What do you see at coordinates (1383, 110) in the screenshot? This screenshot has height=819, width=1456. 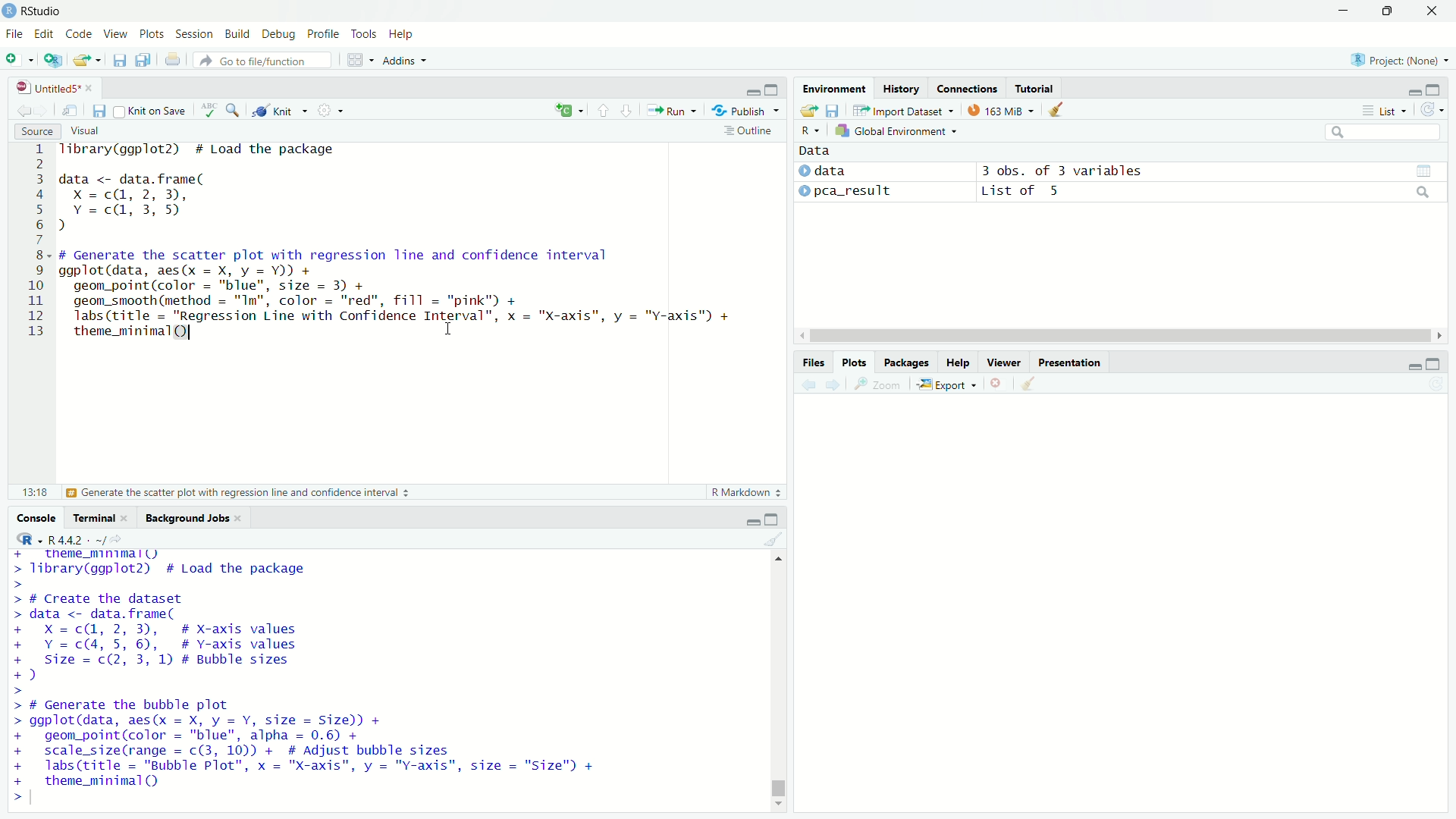 I see `List` at bounding box center [1383, 110].